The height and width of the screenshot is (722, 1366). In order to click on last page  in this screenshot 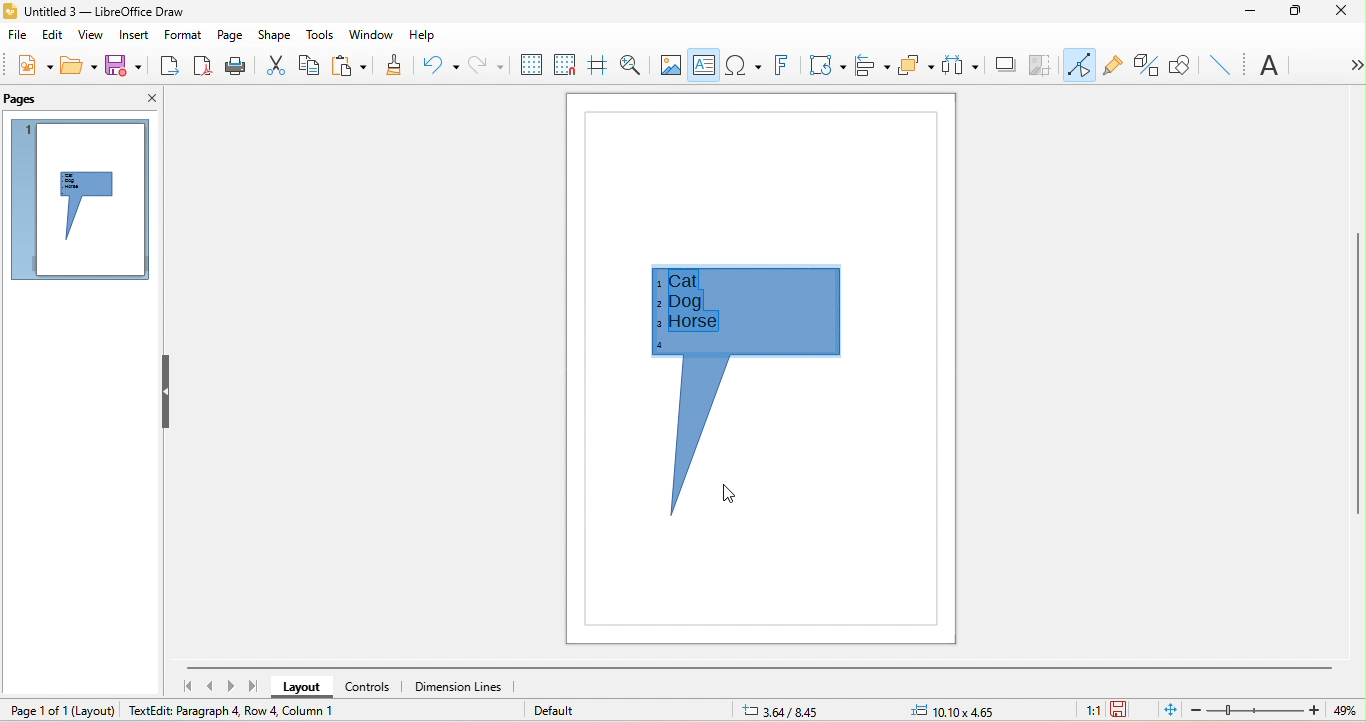, I will do `click(257, 687)`.